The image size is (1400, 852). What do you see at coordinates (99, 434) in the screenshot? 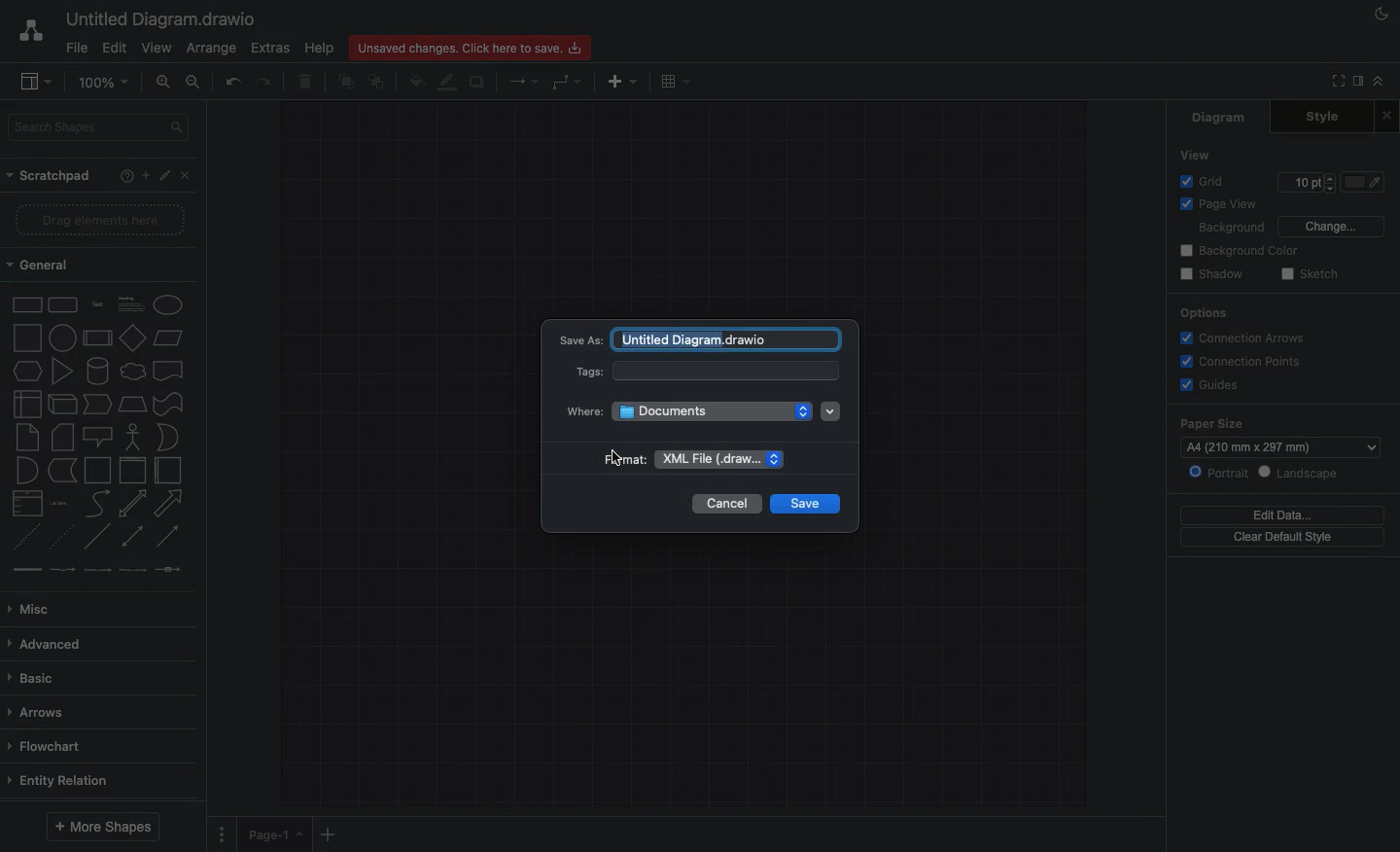
I see `Shapes` at bounding box center [99, 434].